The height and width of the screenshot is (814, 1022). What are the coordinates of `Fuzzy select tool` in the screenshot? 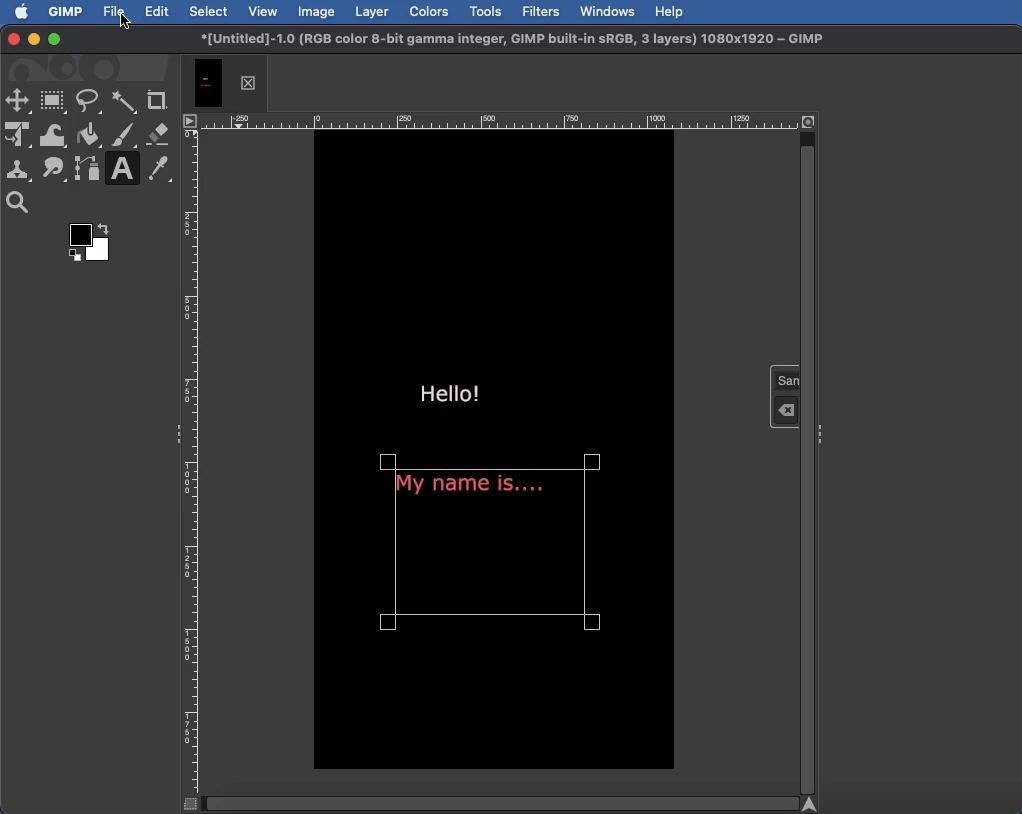 It's located at (122, 103).